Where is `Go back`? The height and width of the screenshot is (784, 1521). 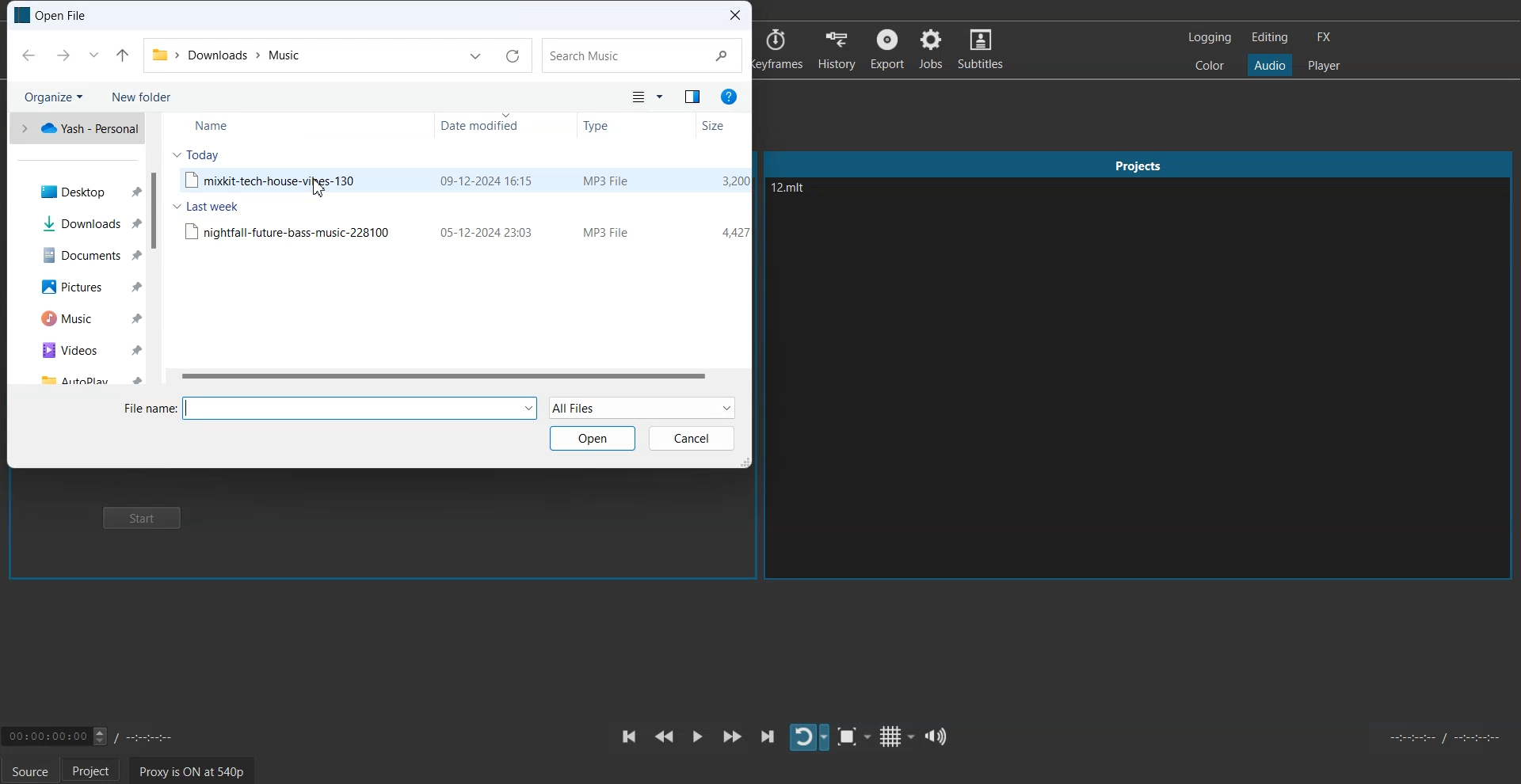
Go back is located at coordinates (29, 55).